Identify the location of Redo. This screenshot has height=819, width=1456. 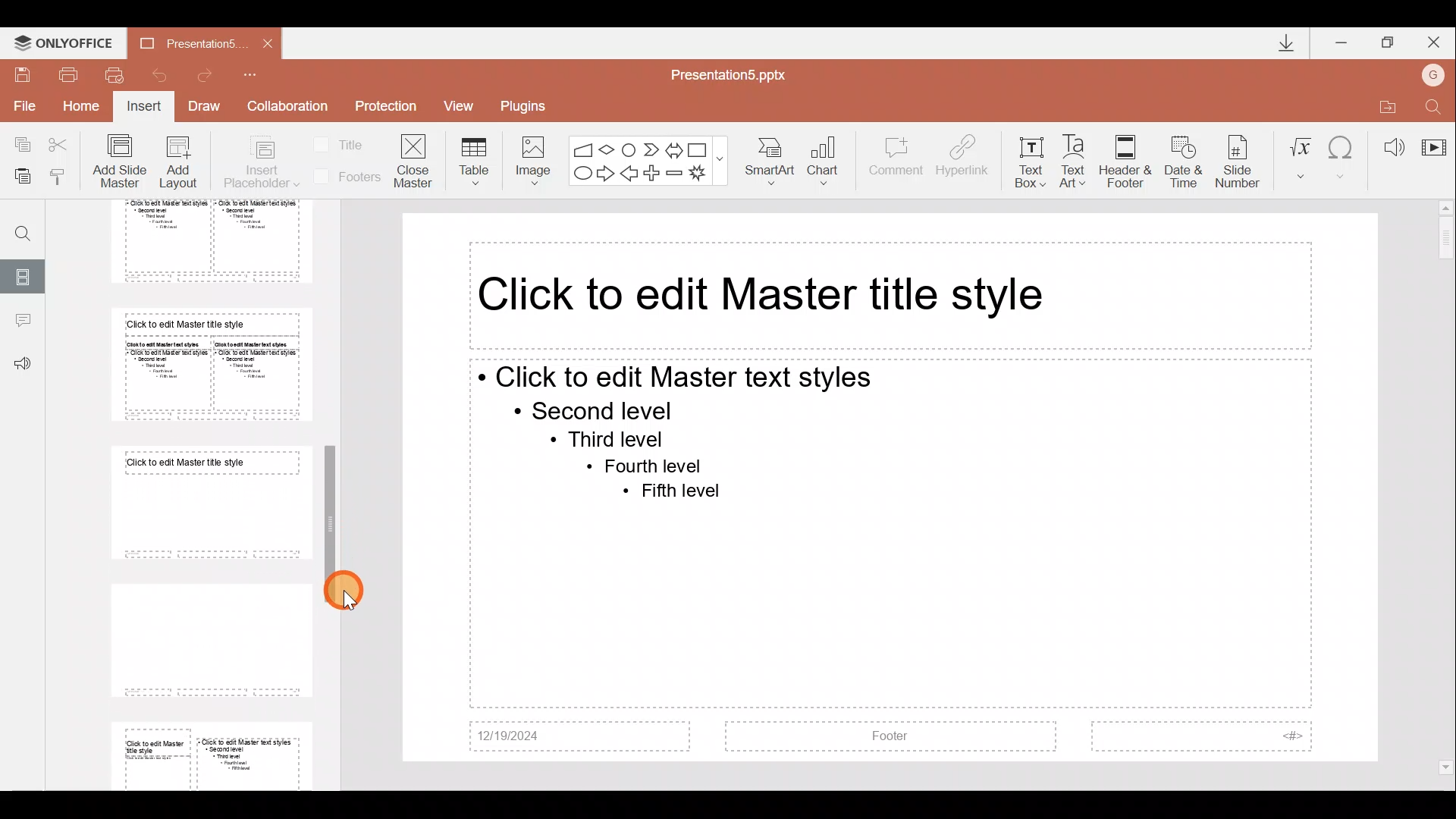
(211, 75).